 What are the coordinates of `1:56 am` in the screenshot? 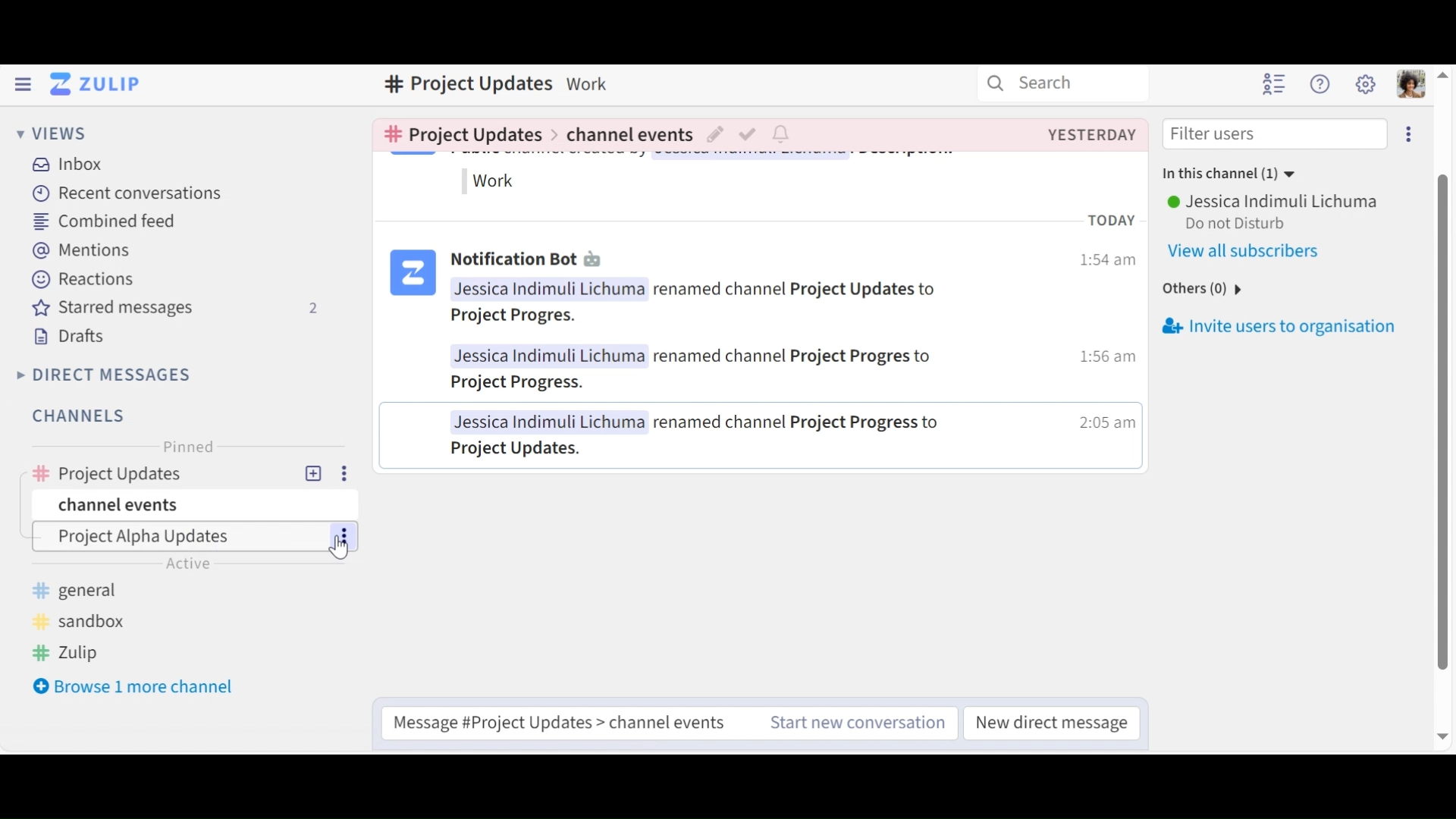 It's located at (1104, 359).